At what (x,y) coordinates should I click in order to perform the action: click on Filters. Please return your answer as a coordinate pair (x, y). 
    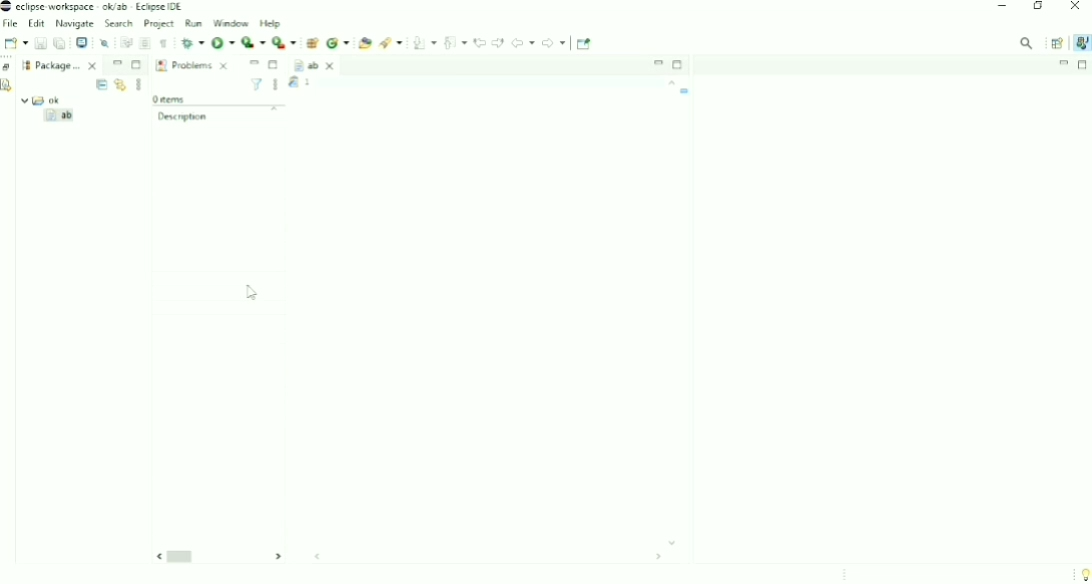
    Looking at the image, I should click on (257, 85).